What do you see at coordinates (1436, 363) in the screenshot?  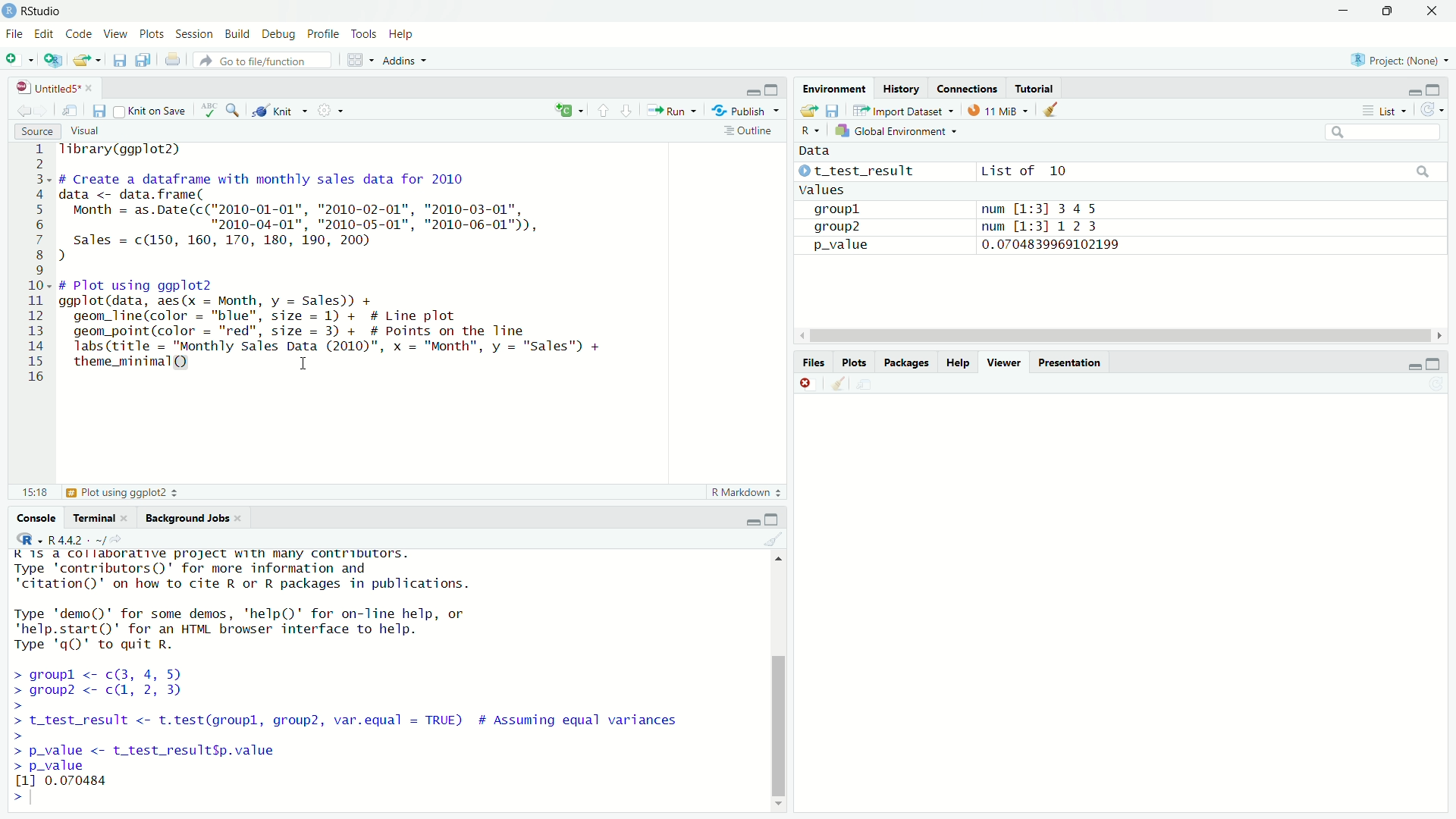 I see `minimise` at bounding box center [1436, 363].